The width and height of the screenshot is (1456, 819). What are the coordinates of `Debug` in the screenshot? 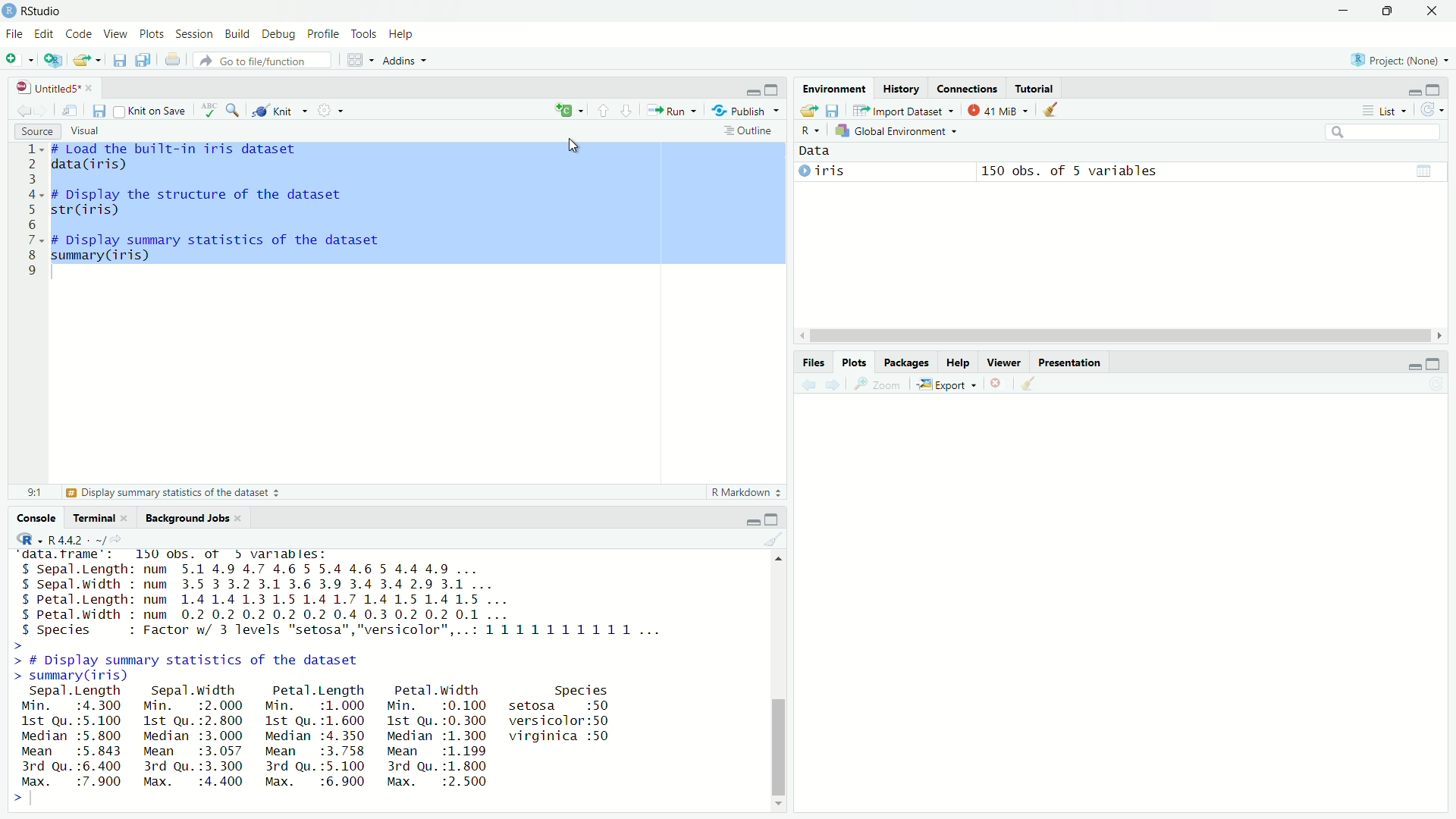 It's located at (280, 34).